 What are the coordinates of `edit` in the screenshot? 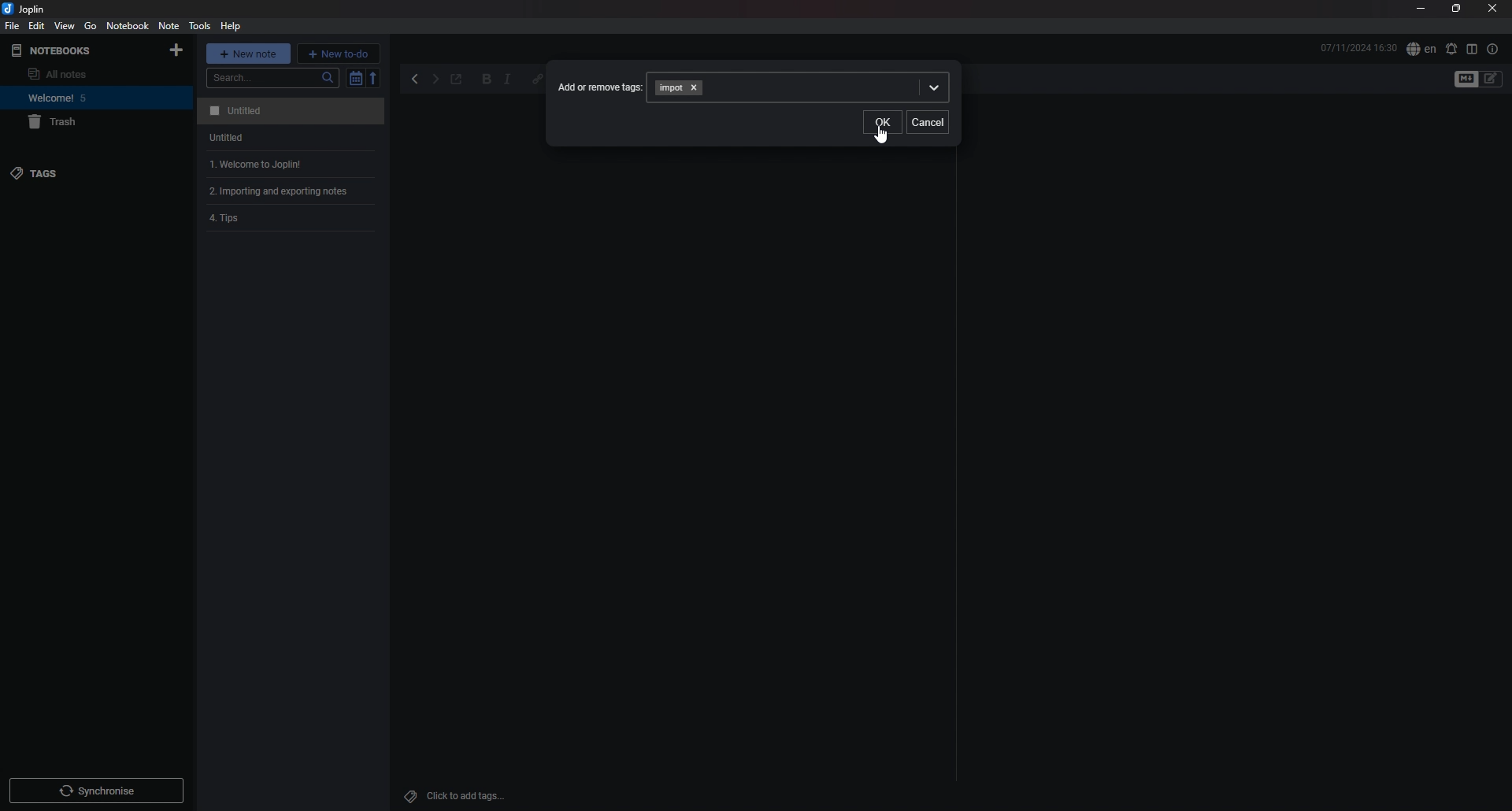 It's located at (35, 25).